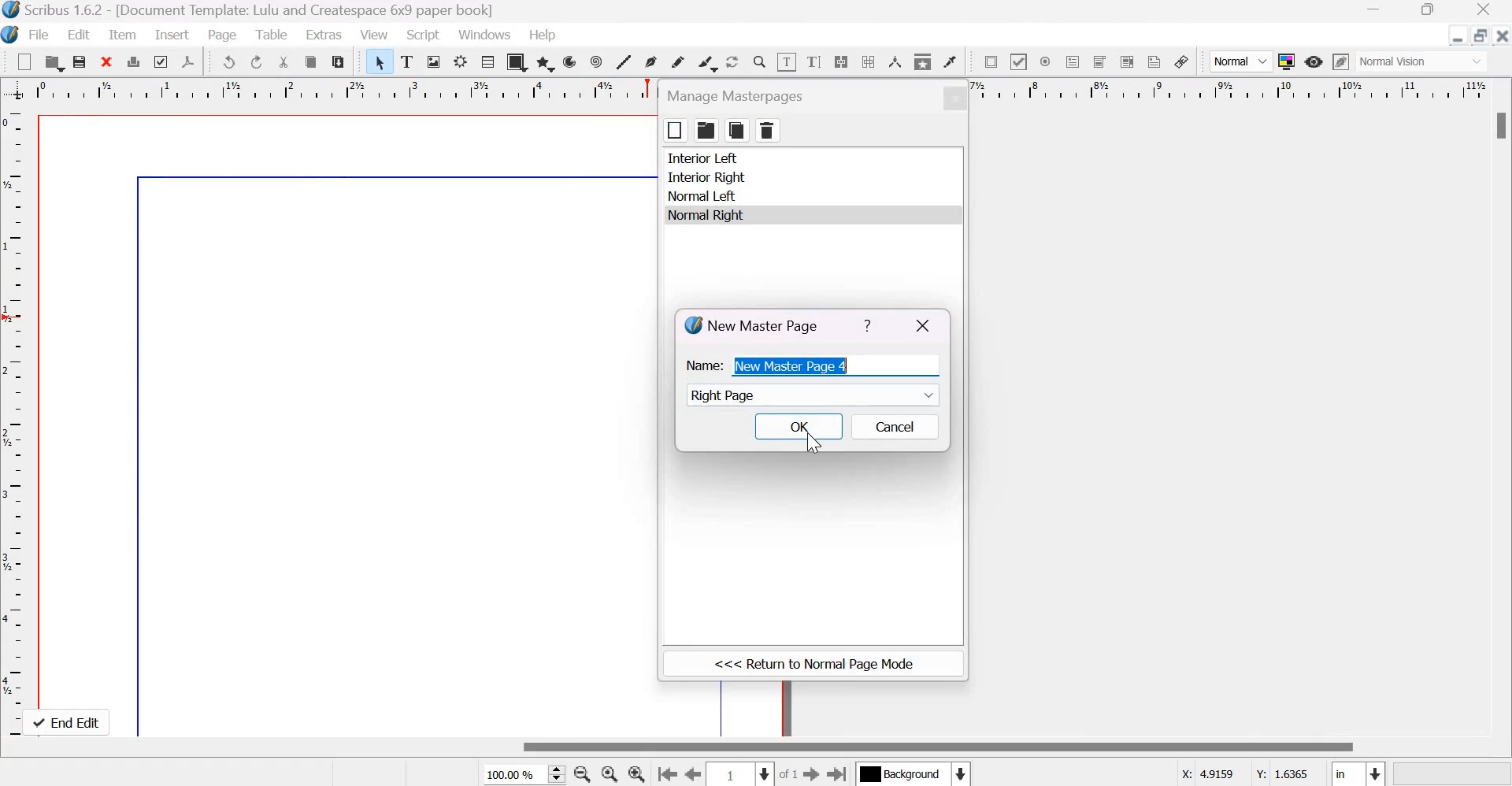 The width and height of the screenshot is (1512, 786). Describe the element at coordinates (1242, 62) in the screenshot. I see `Normal` at that location.